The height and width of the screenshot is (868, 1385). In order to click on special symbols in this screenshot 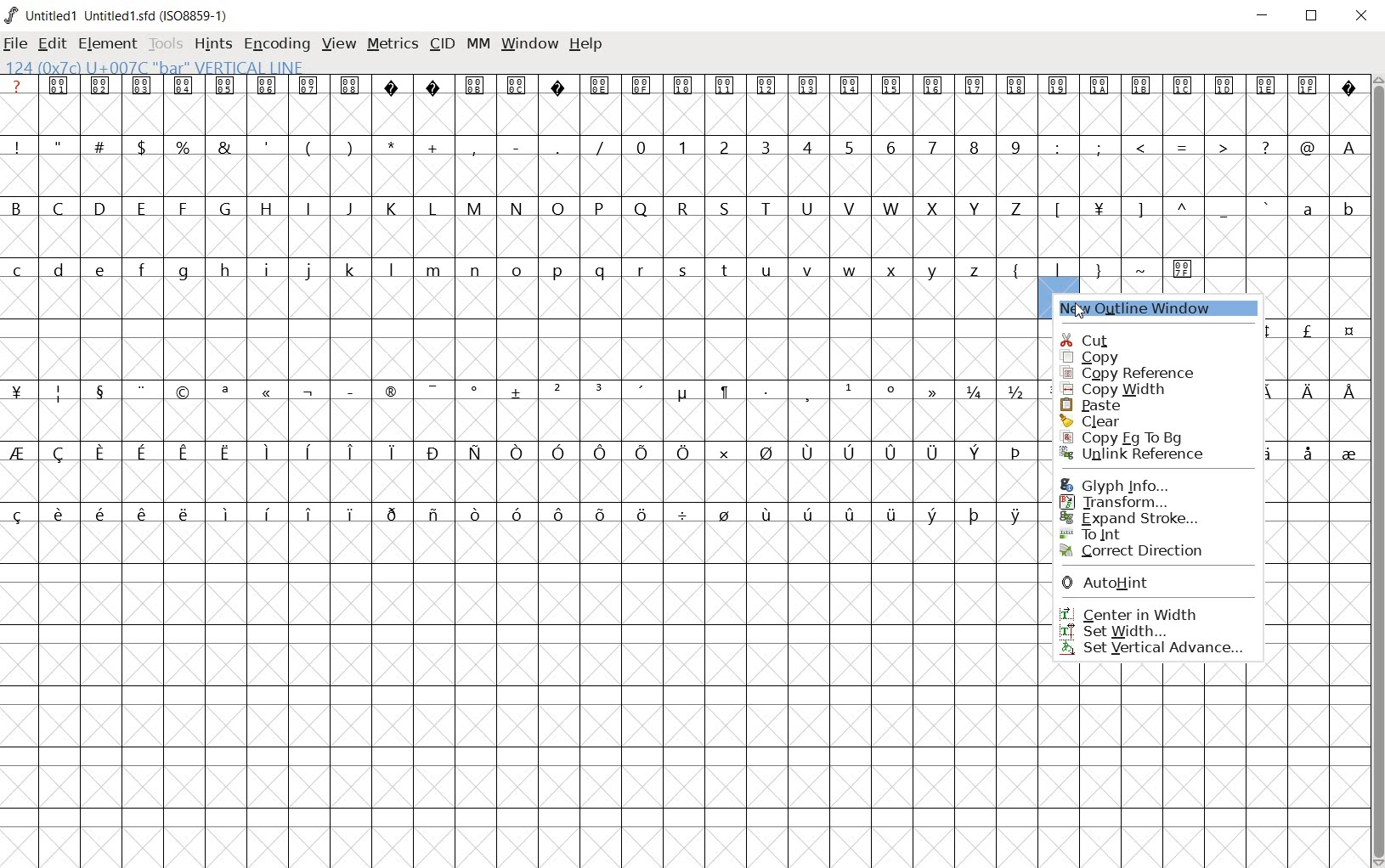, I will do `click(685, 86)`.